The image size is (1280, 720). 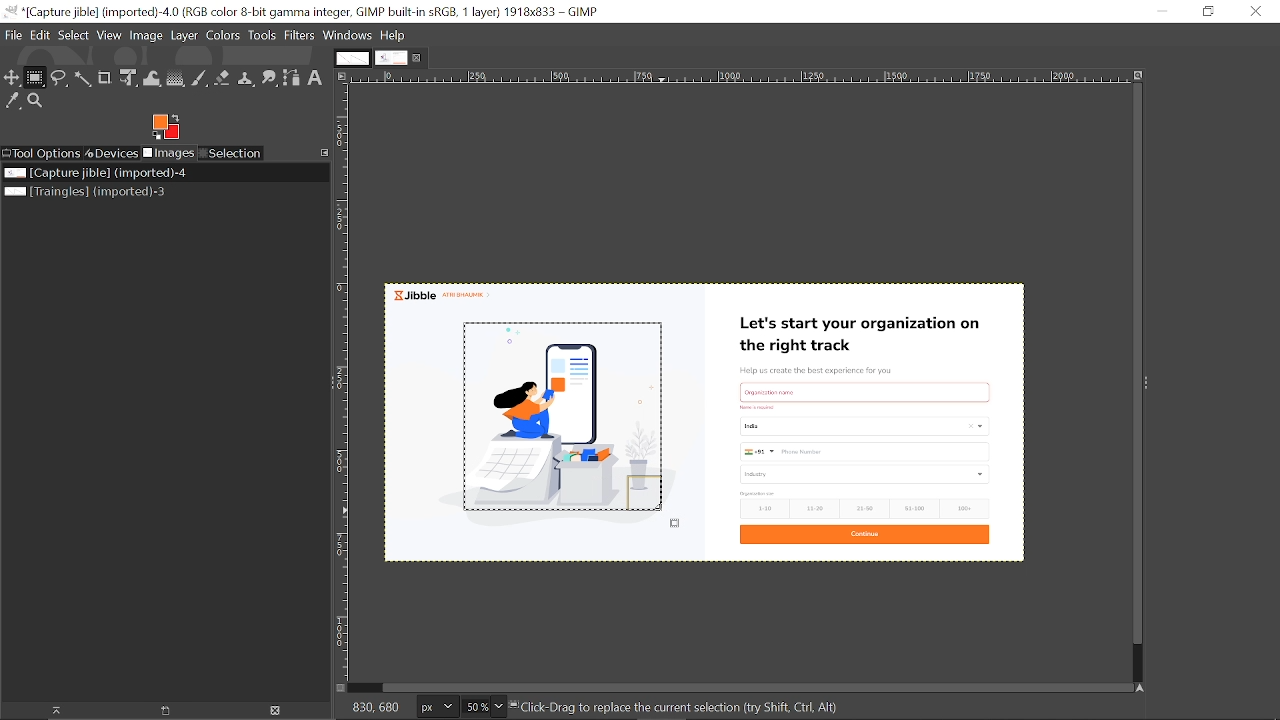 What do you see at coordinates (223, 77) in the screenshot?
I see `Eraser tool` at bounding box center [223, 77].